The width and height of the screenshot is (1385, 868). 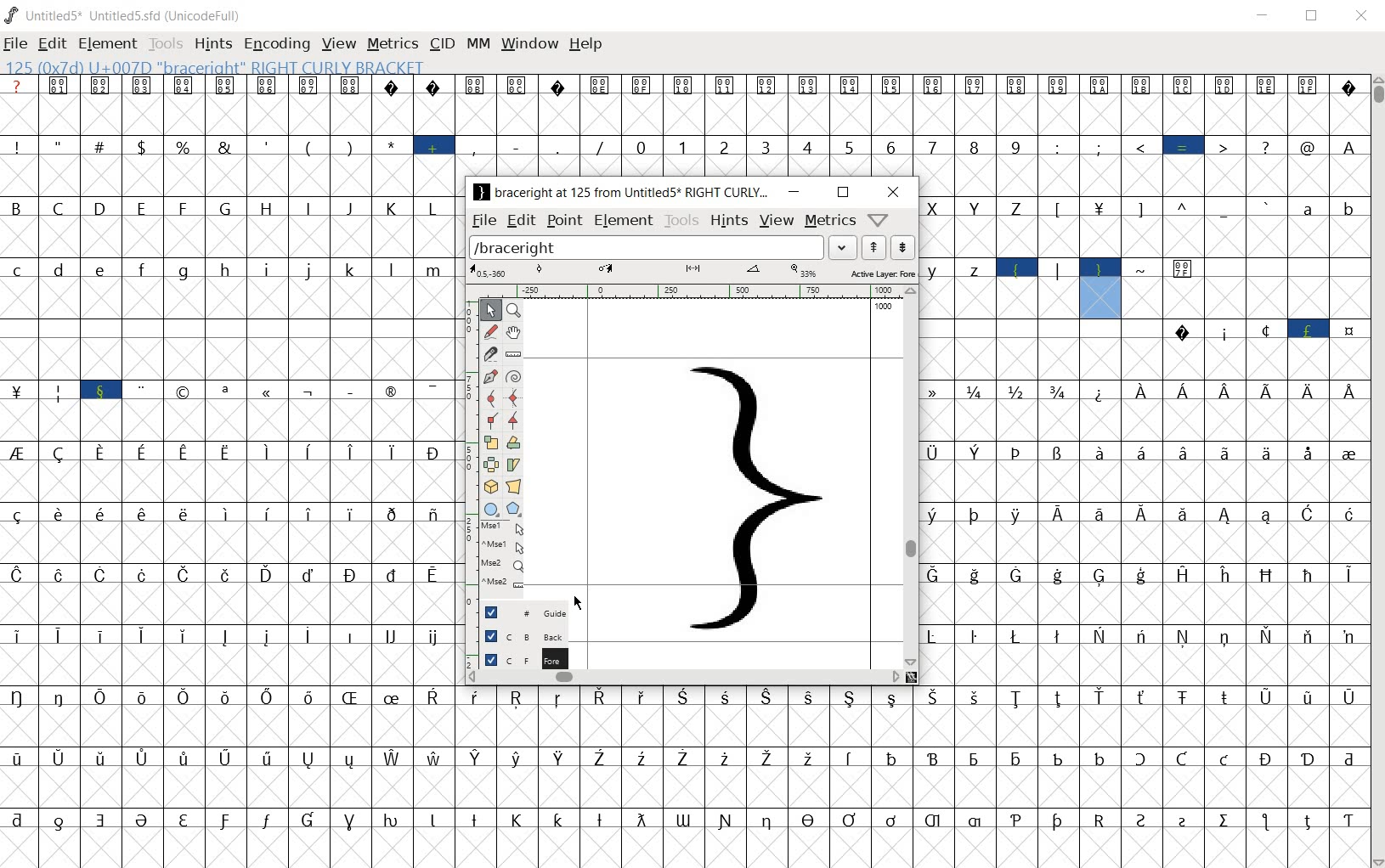 I want to click on background, so click(x=516, y=634).